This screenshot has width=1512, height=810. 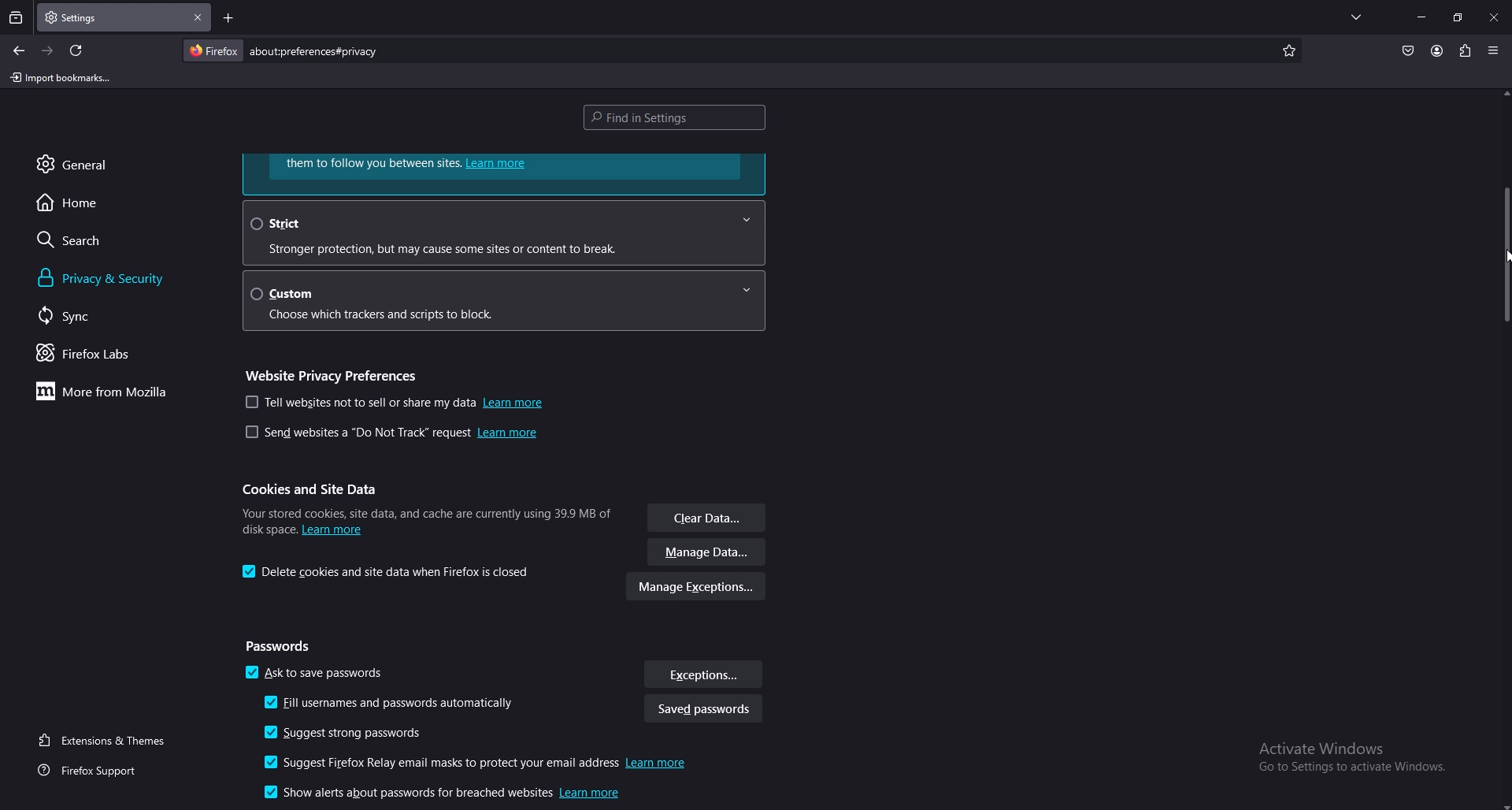 I want to click on tab, so click(x=82, y=18).